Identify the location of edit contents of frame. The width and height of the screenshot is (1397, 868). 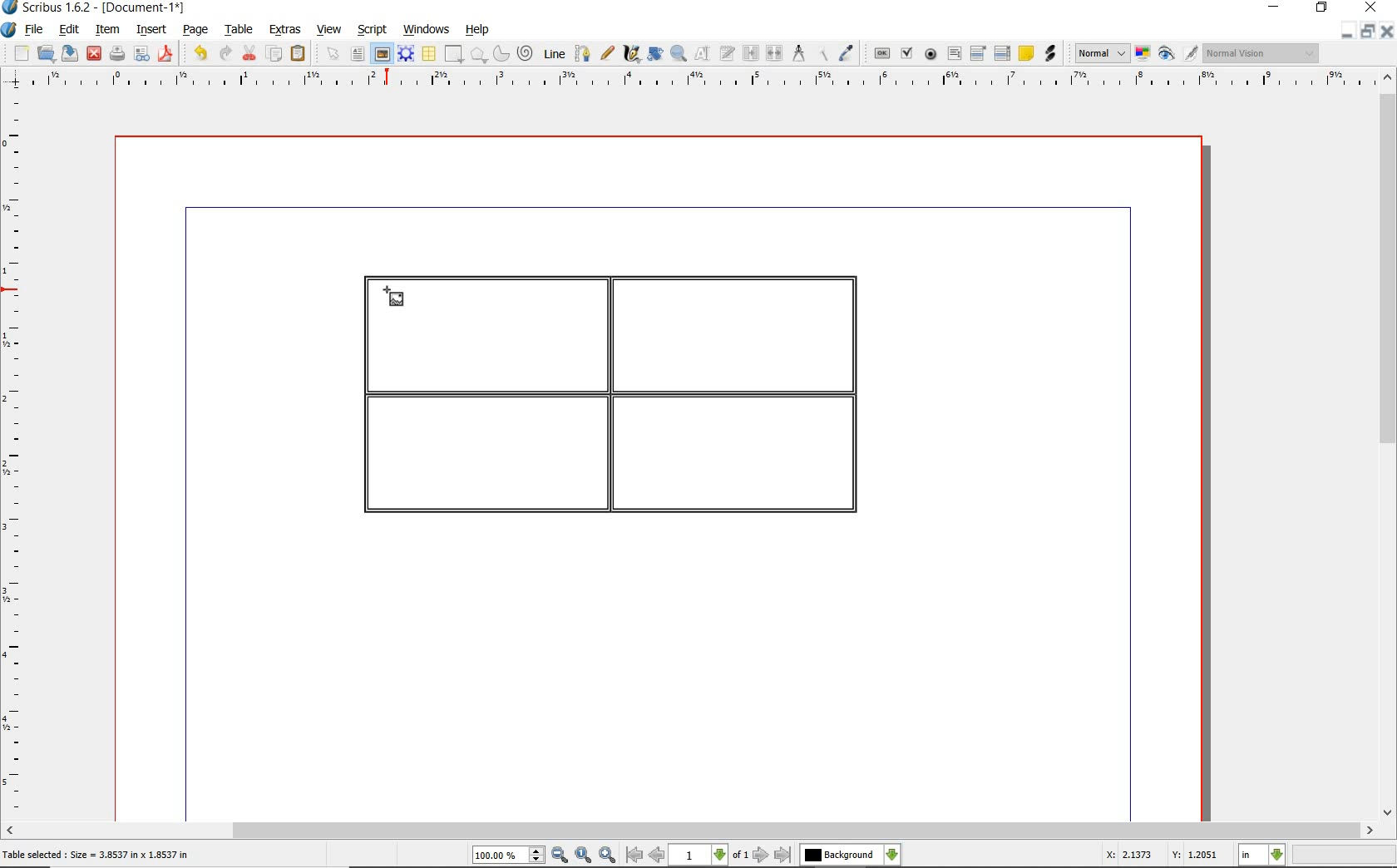
(703, 54).